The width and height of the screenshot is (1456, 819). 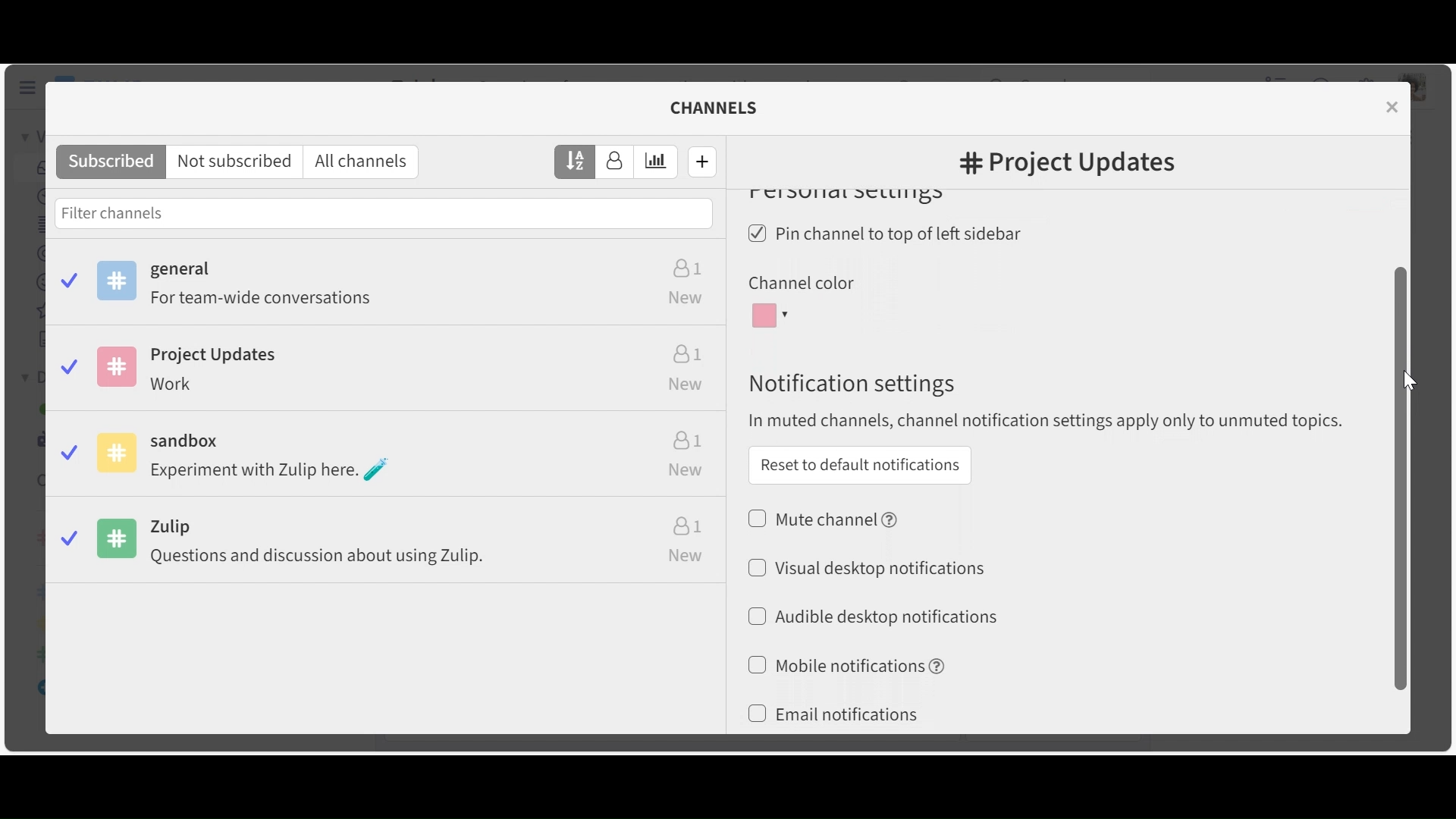 I want to click on All channels, so click(x=366, y=162).